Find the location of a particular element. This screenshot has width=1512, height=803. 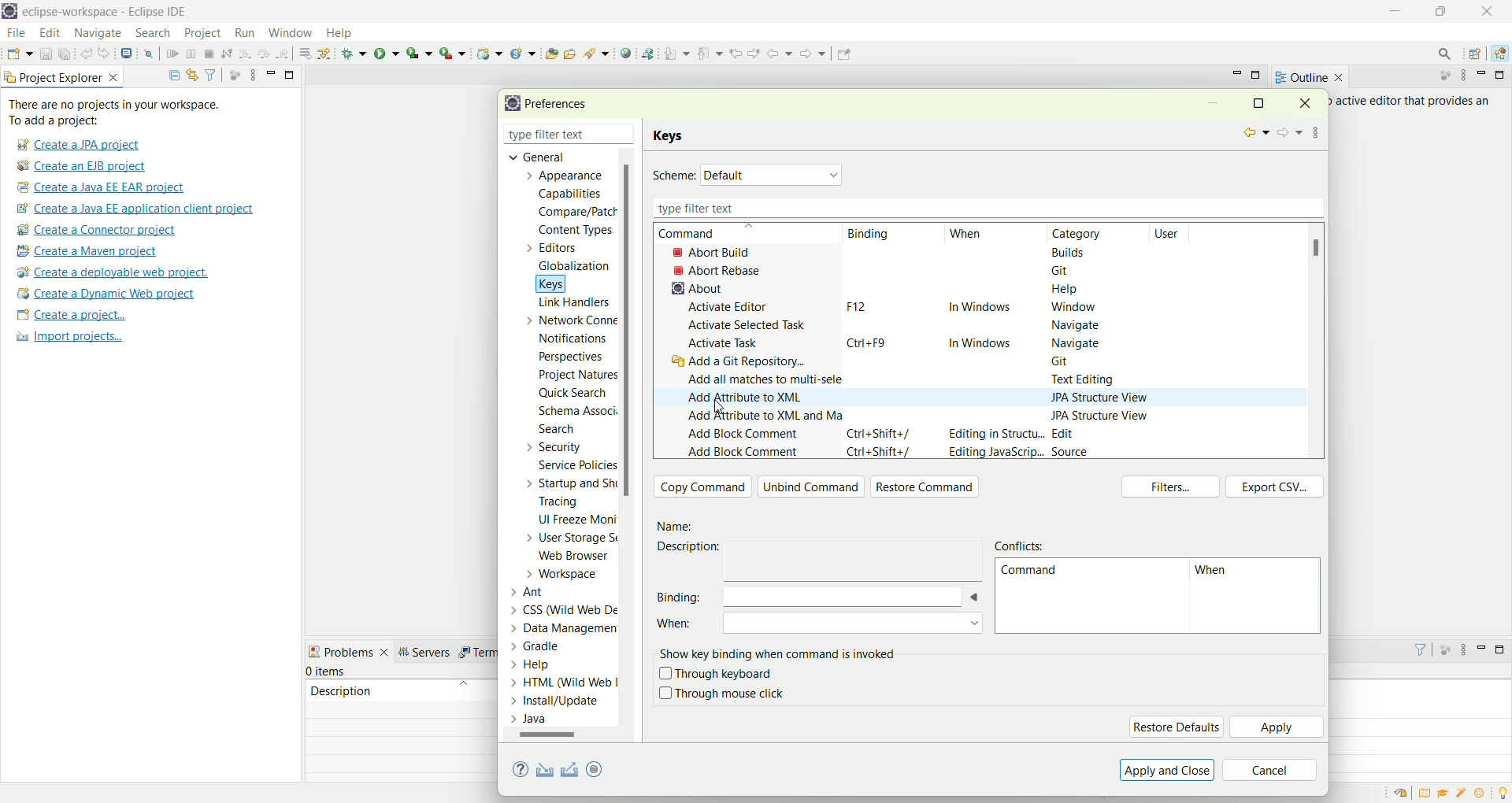

conflict is located at coordinates (1023, 544).